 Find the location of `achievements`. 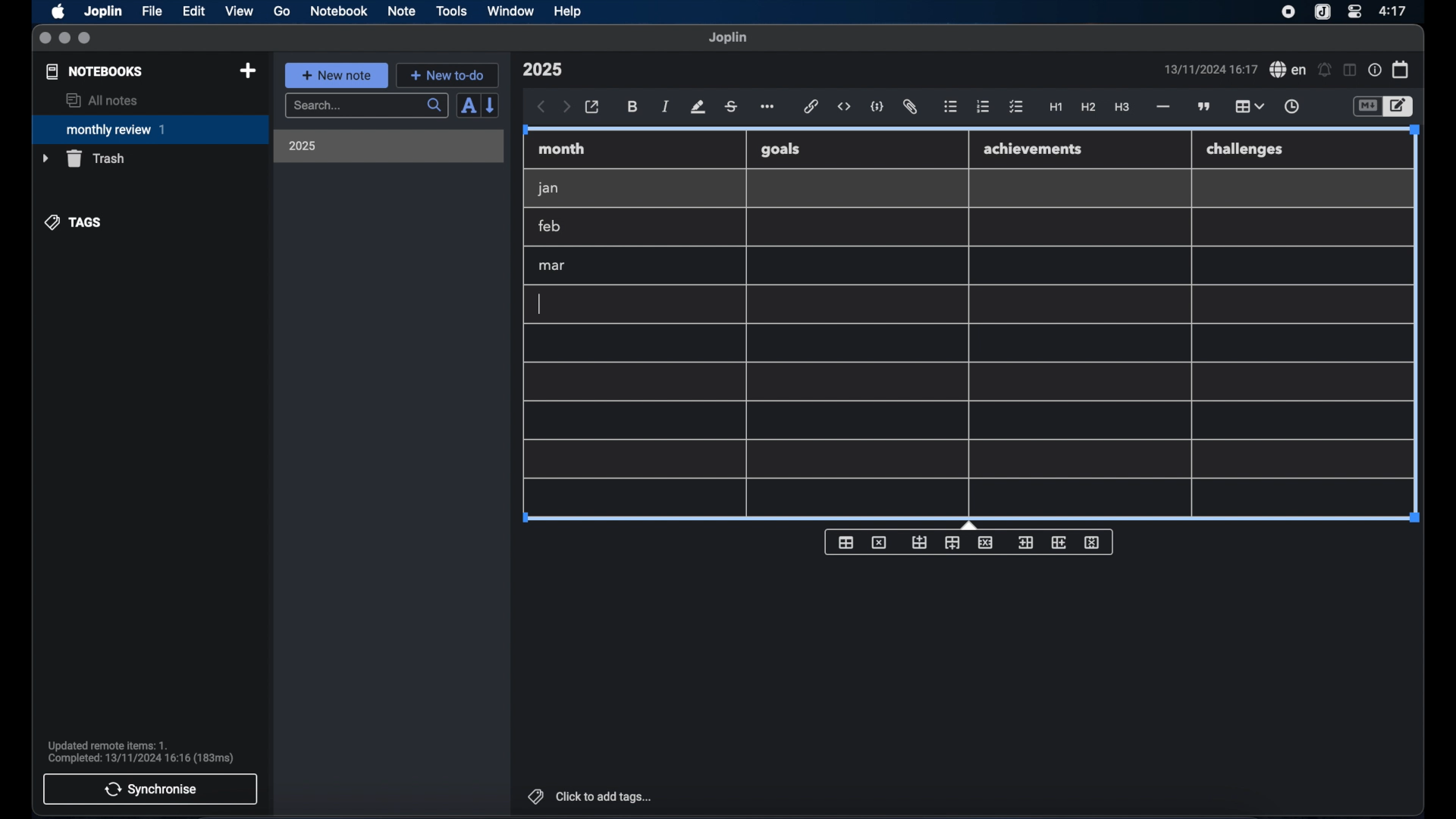

achievements is located at coordinates (1034, 149).